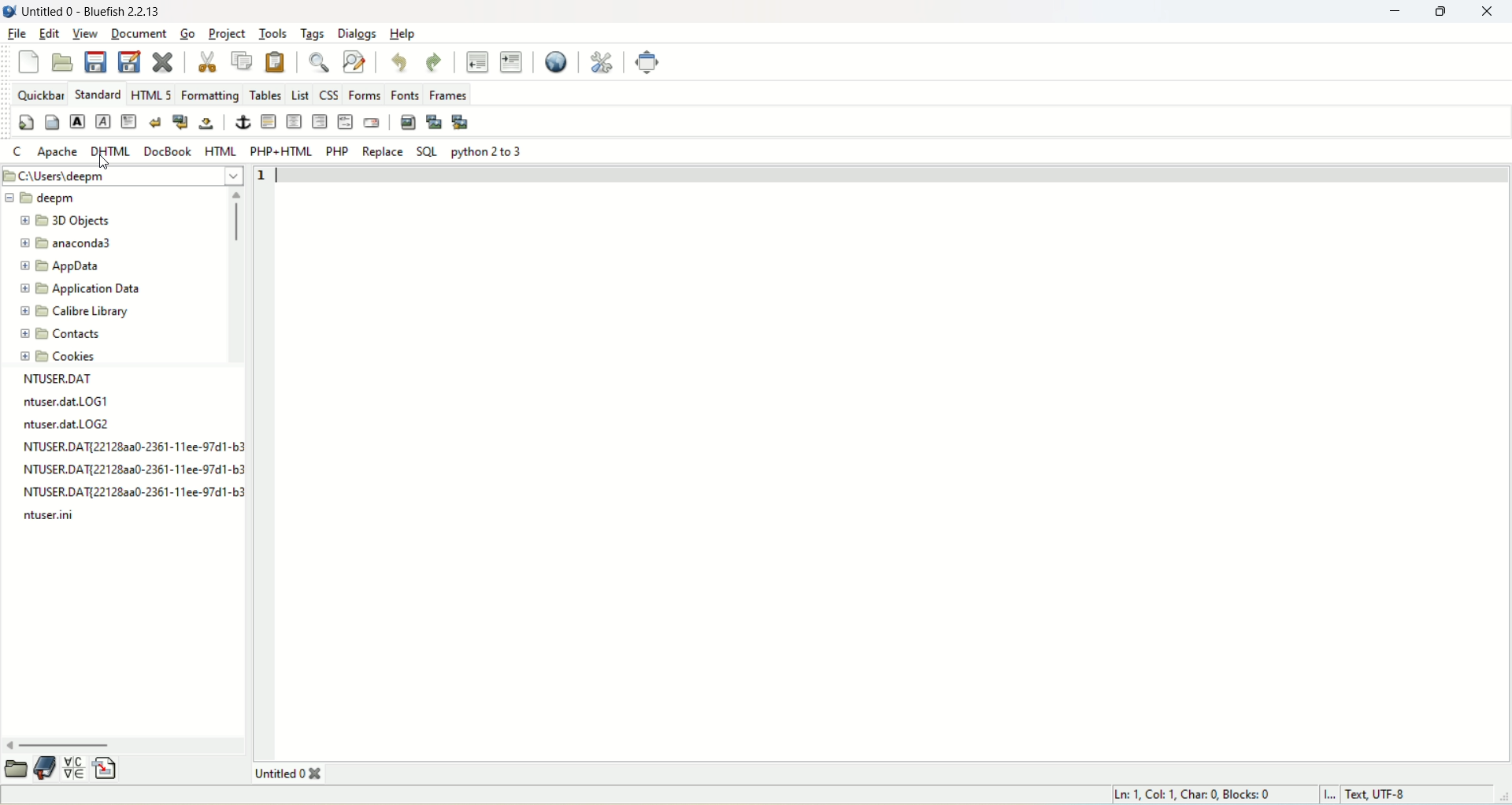 The width and height of the screenshot is (1512, 805). I want to click on application, so click(80, 288).